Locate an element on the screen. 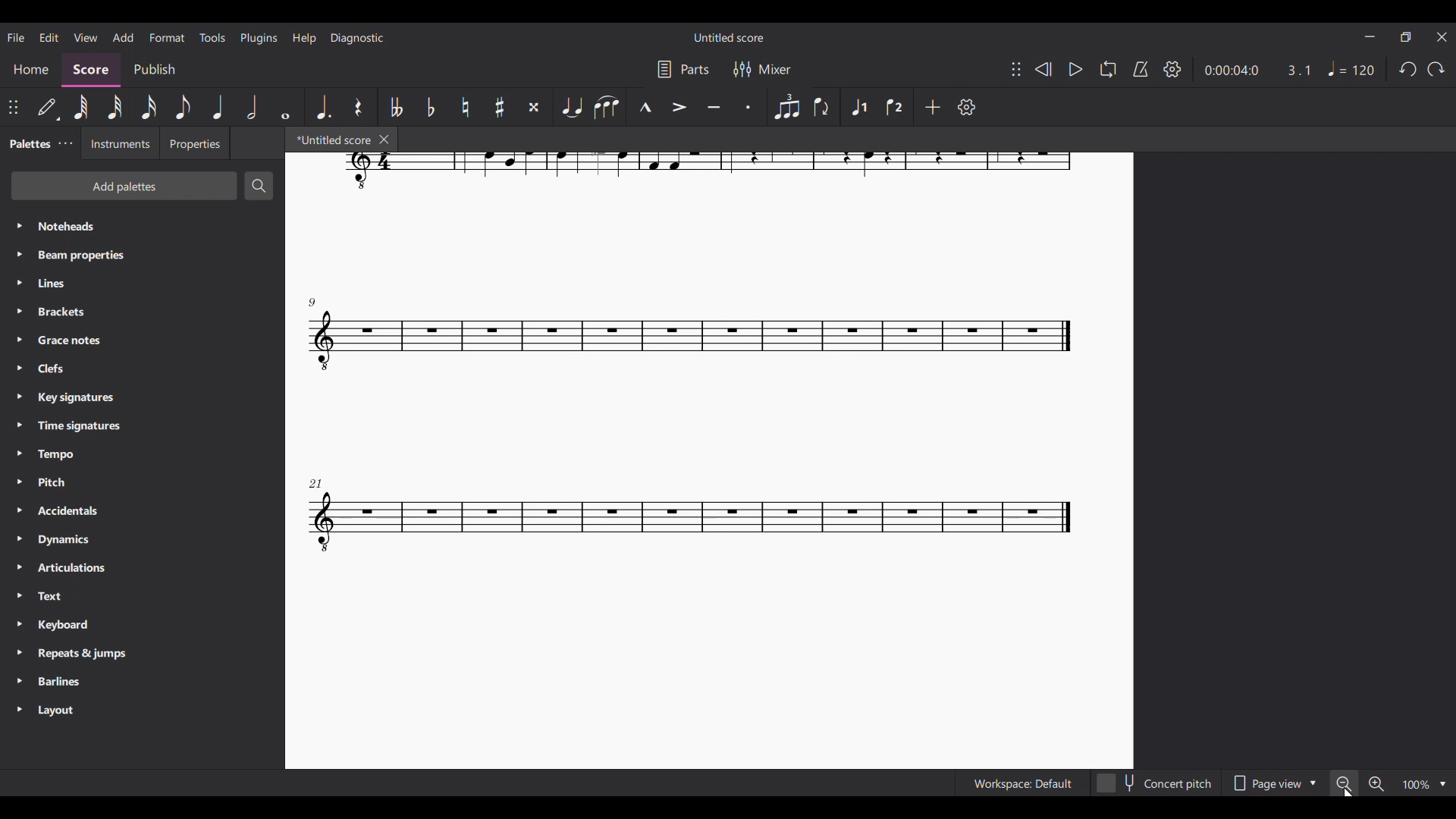  Redo is located at coordinates (1436, 70).